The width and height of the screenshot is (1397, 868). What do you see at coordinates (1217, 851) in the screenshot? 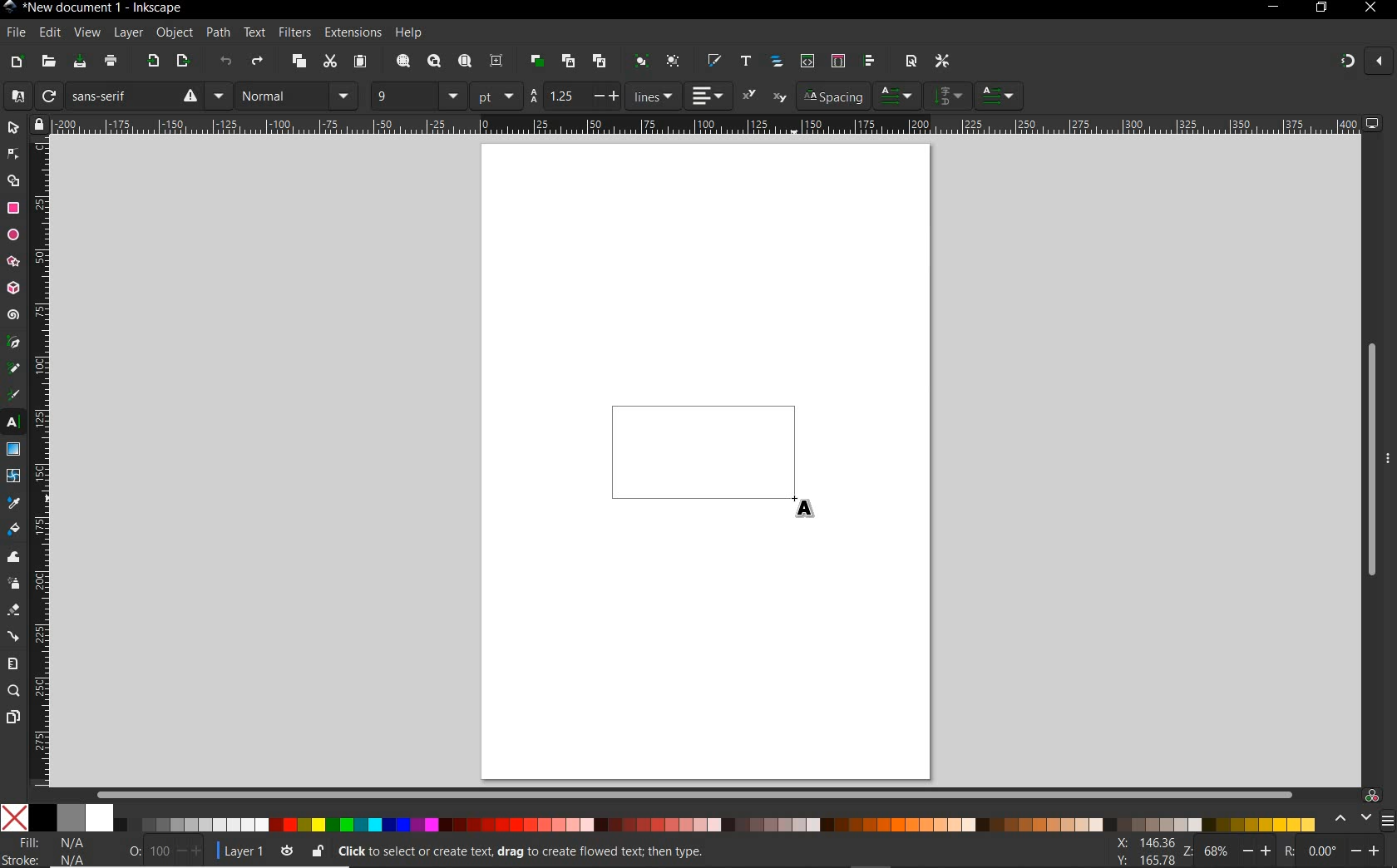
I see `68` at bounding box center [1217, 851].